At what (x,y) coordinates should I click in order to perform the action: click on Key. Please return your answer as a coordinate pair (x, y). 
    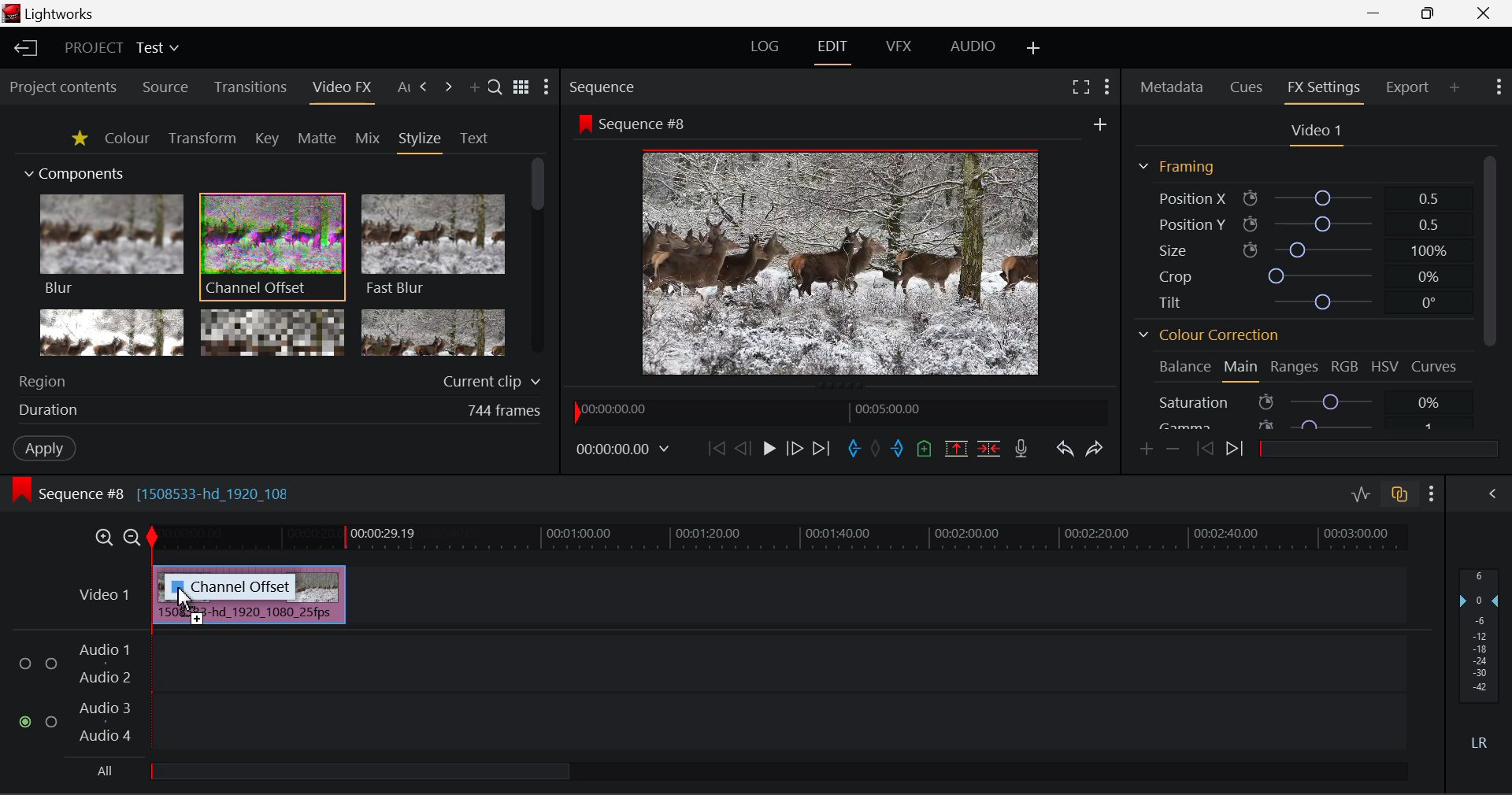
    Looking at the image, I should click on (265, 139).